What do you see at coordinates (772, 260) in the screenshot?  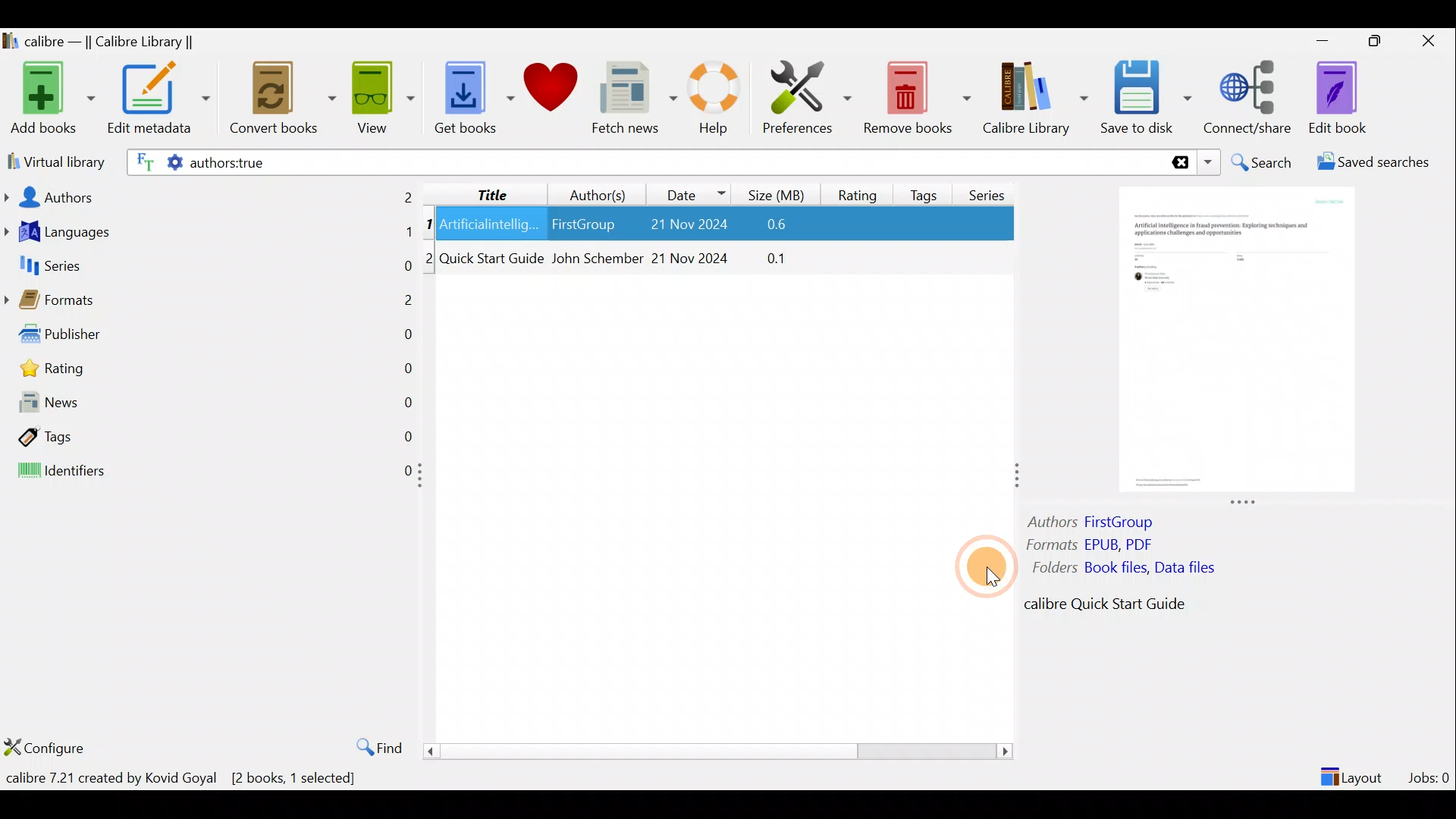 I see `0.1` at bounding box center [772, 260].